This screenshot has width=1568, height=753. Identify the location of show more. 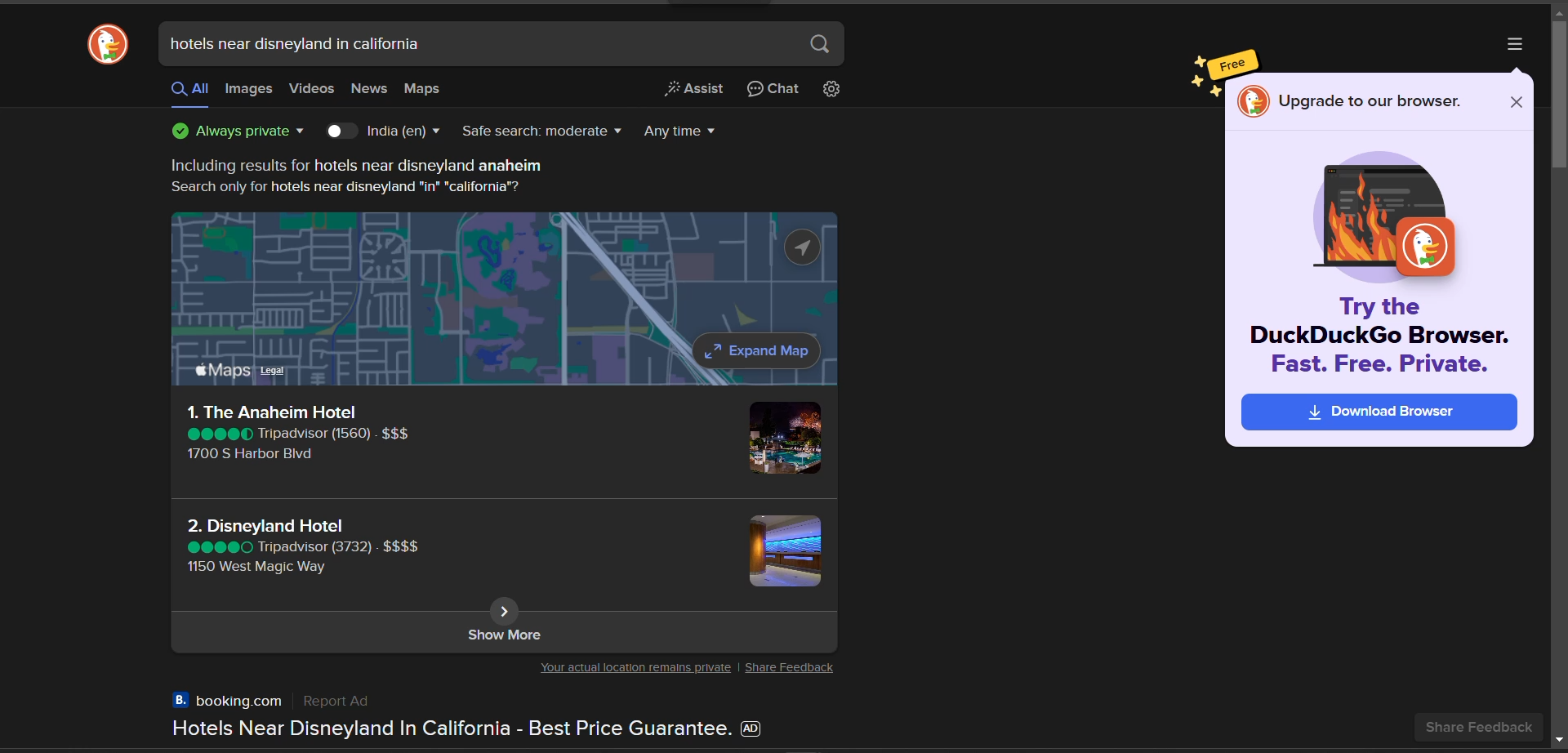
(502, 635).